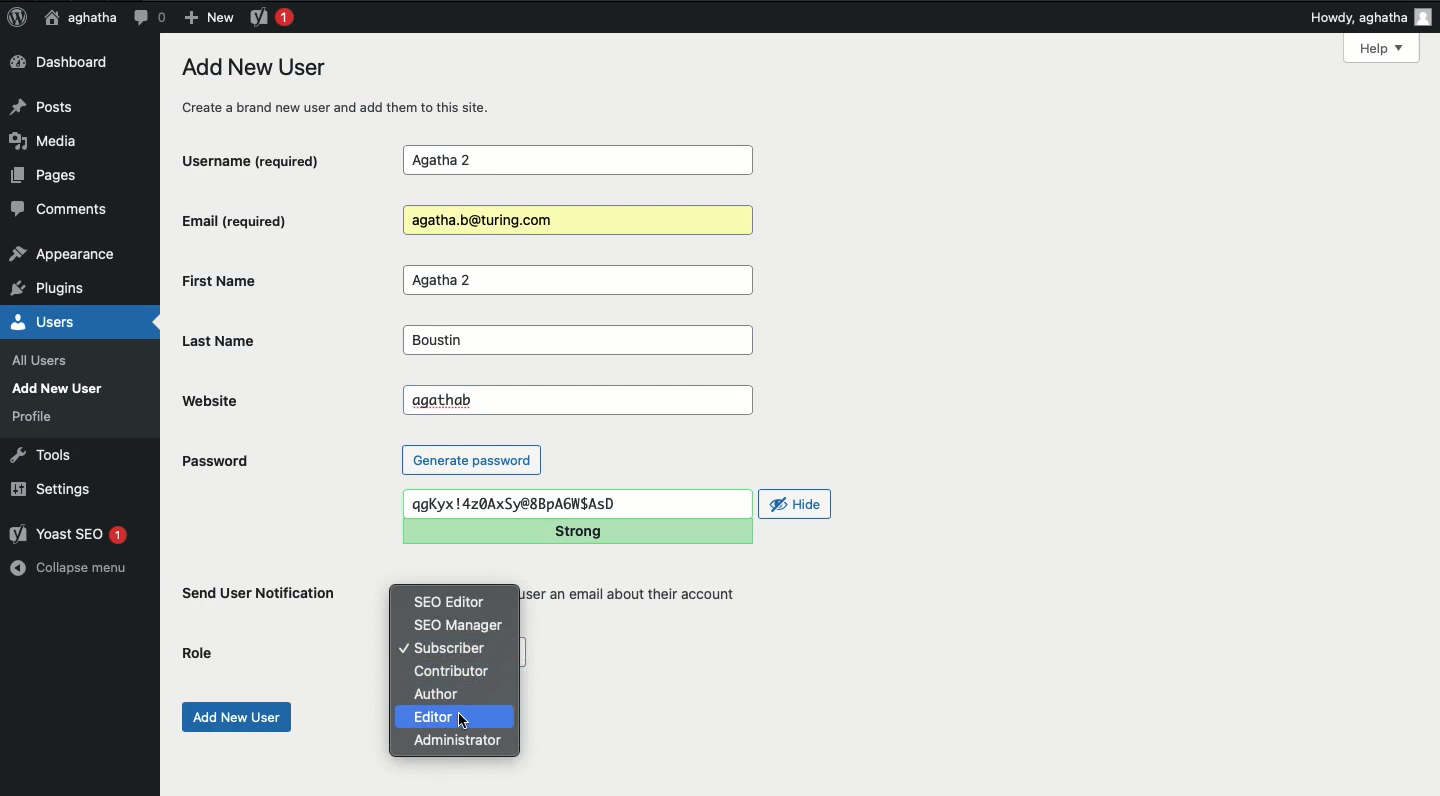 Image resolution: width=1440 pixels, height=796 pixels. What do you see at coordinates (457, 741) in the screenshot?
I see `Administrator` at bounding box center [457, 741].